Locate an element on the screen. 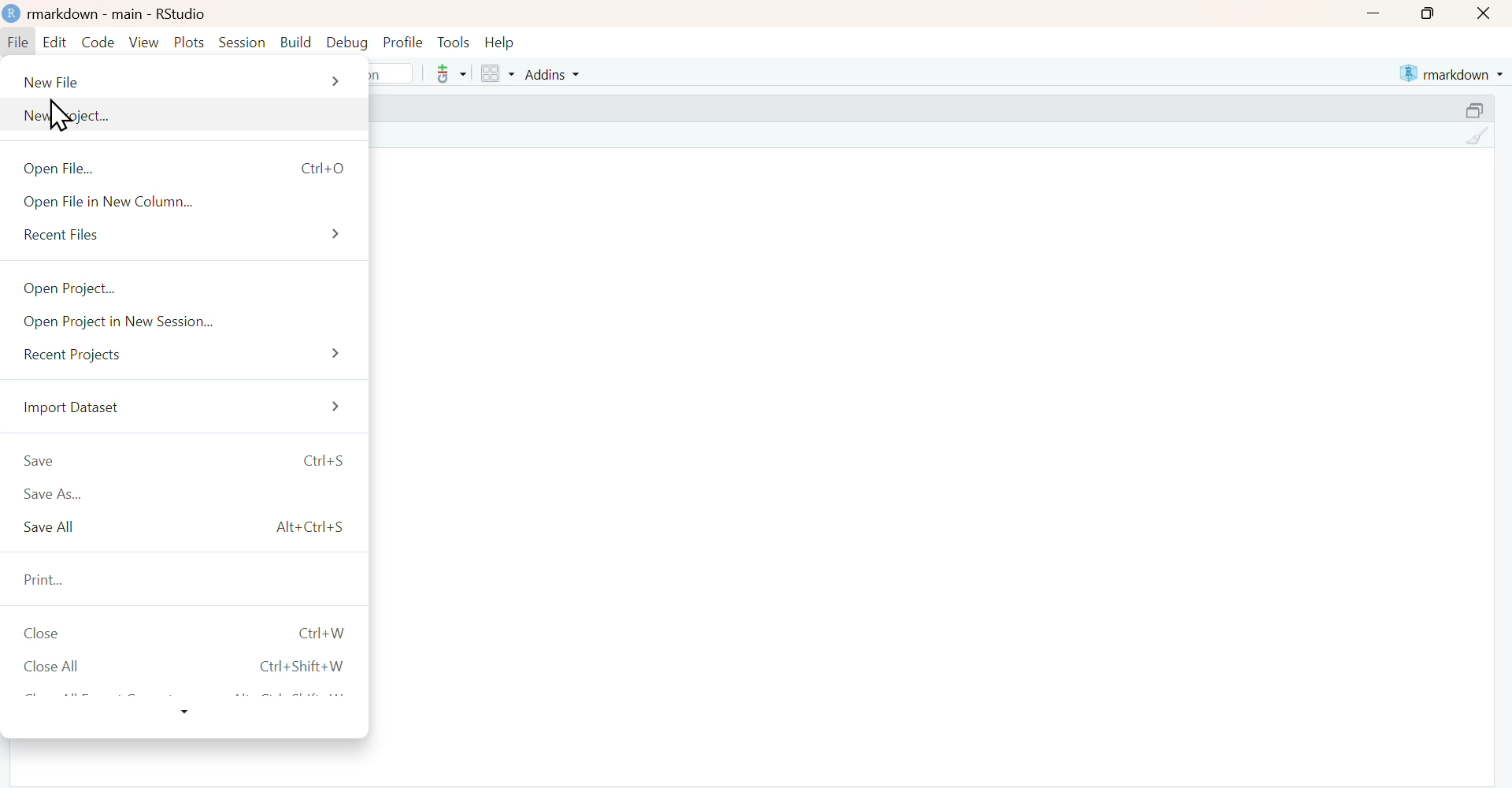 This screenshot has width=1512, height=788. New File is located at coordinates (185, 81).